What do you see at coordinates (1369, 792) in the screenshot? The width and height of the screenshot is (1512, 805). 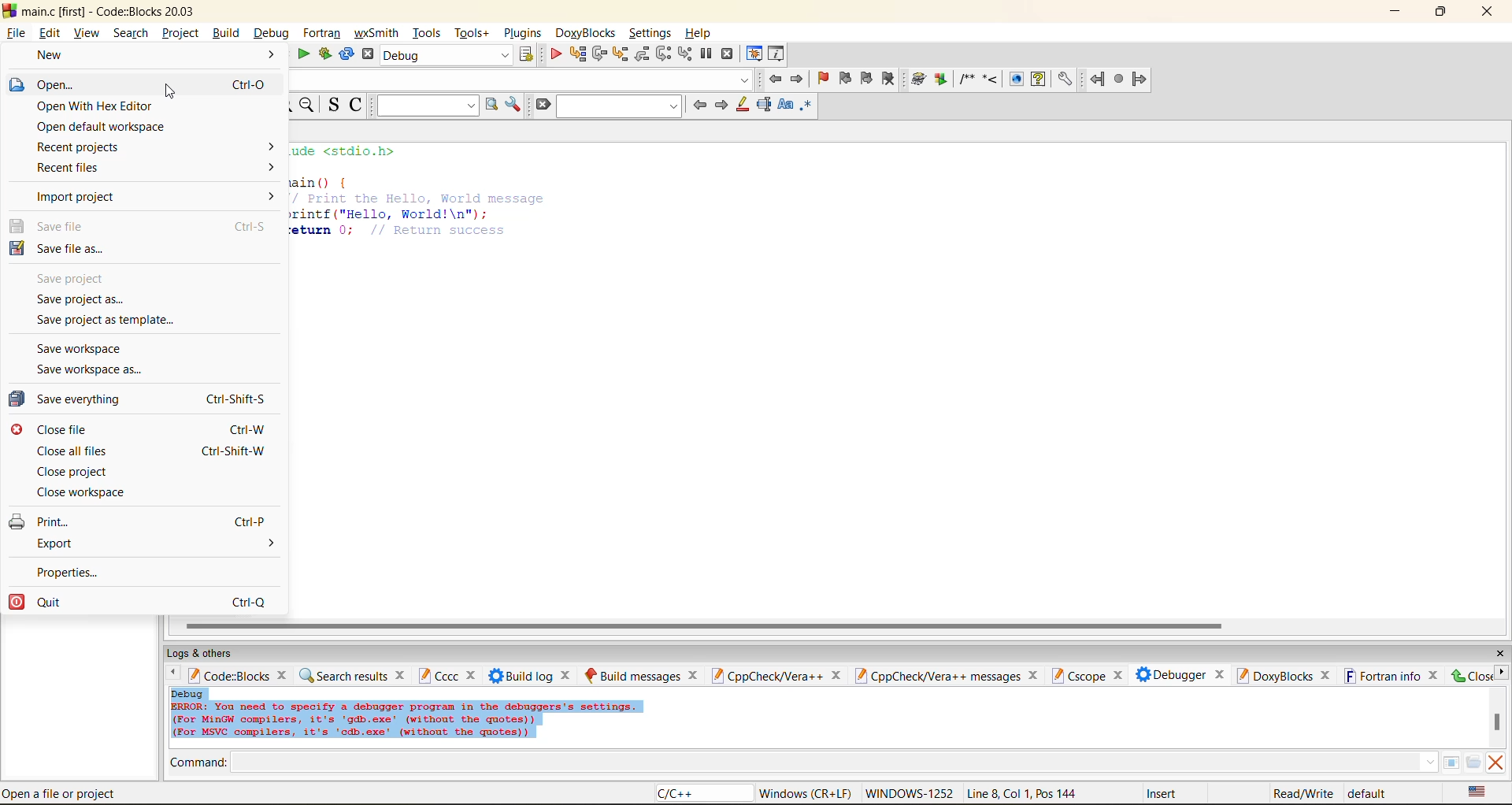 I see `default` at bounding box center [1369, 792].